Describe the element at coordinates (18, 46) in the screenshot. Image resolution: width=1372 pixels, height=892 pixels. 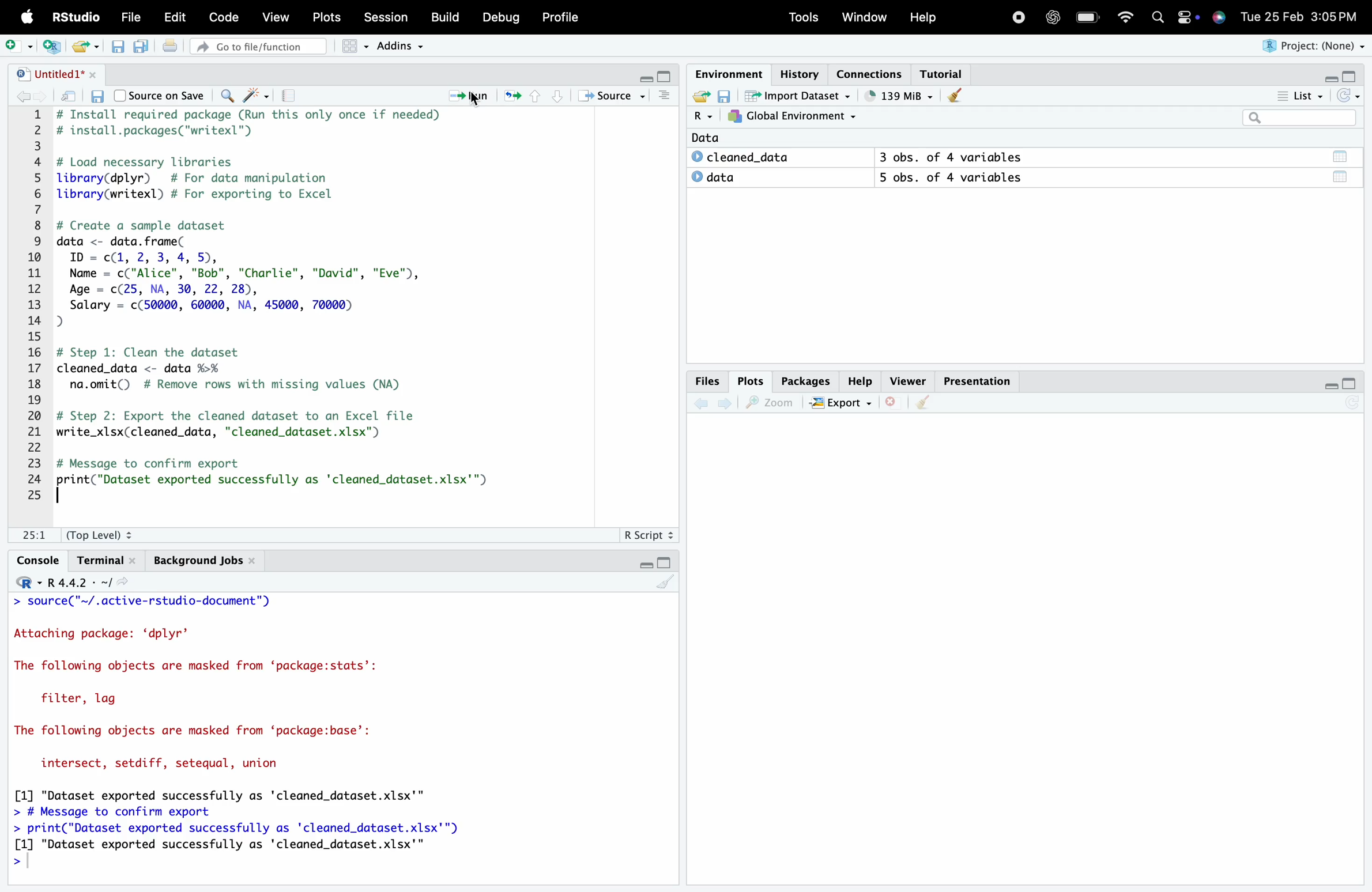
I see `New File` at that location.